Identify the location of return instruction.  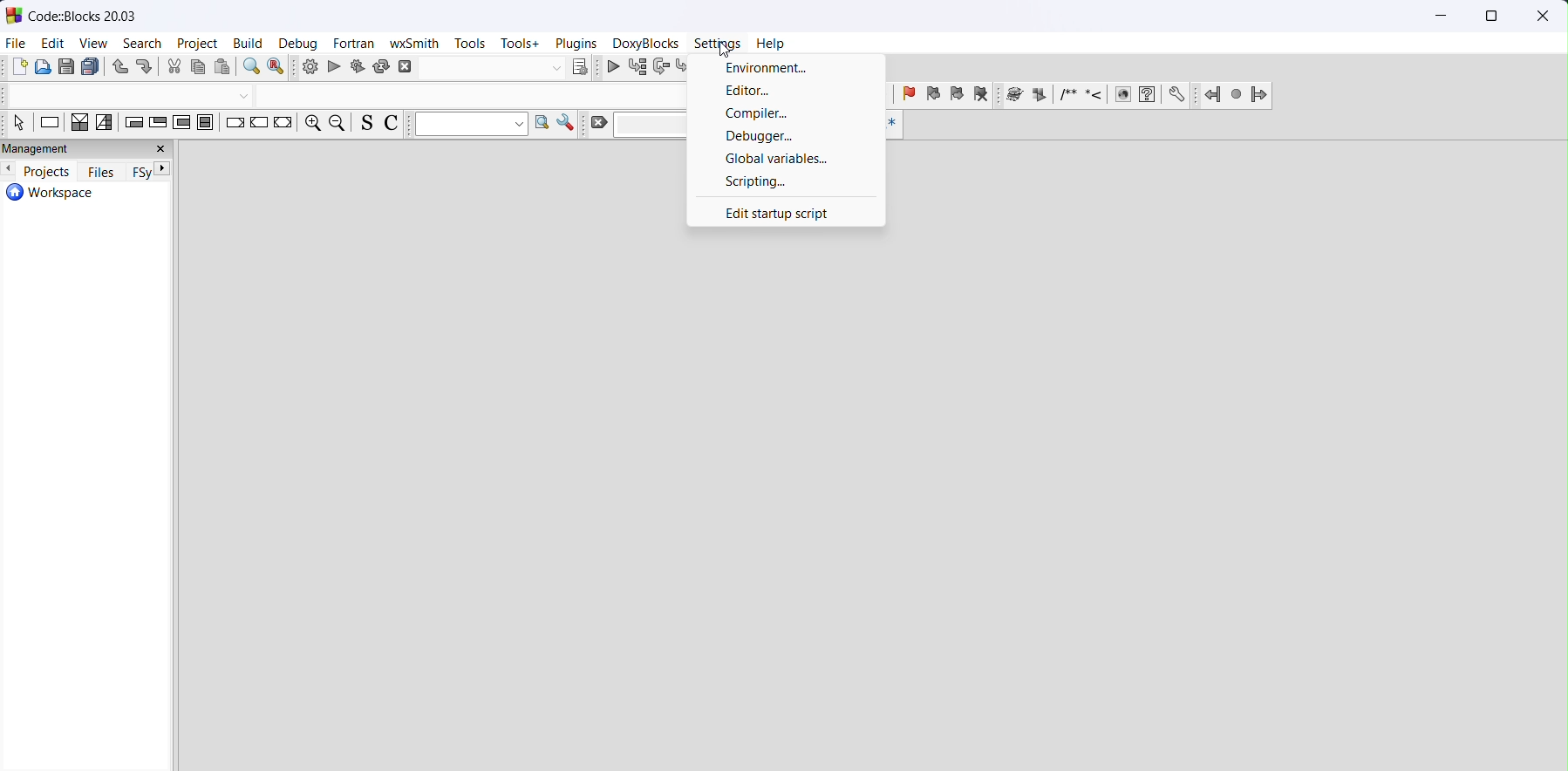
(283, 124).